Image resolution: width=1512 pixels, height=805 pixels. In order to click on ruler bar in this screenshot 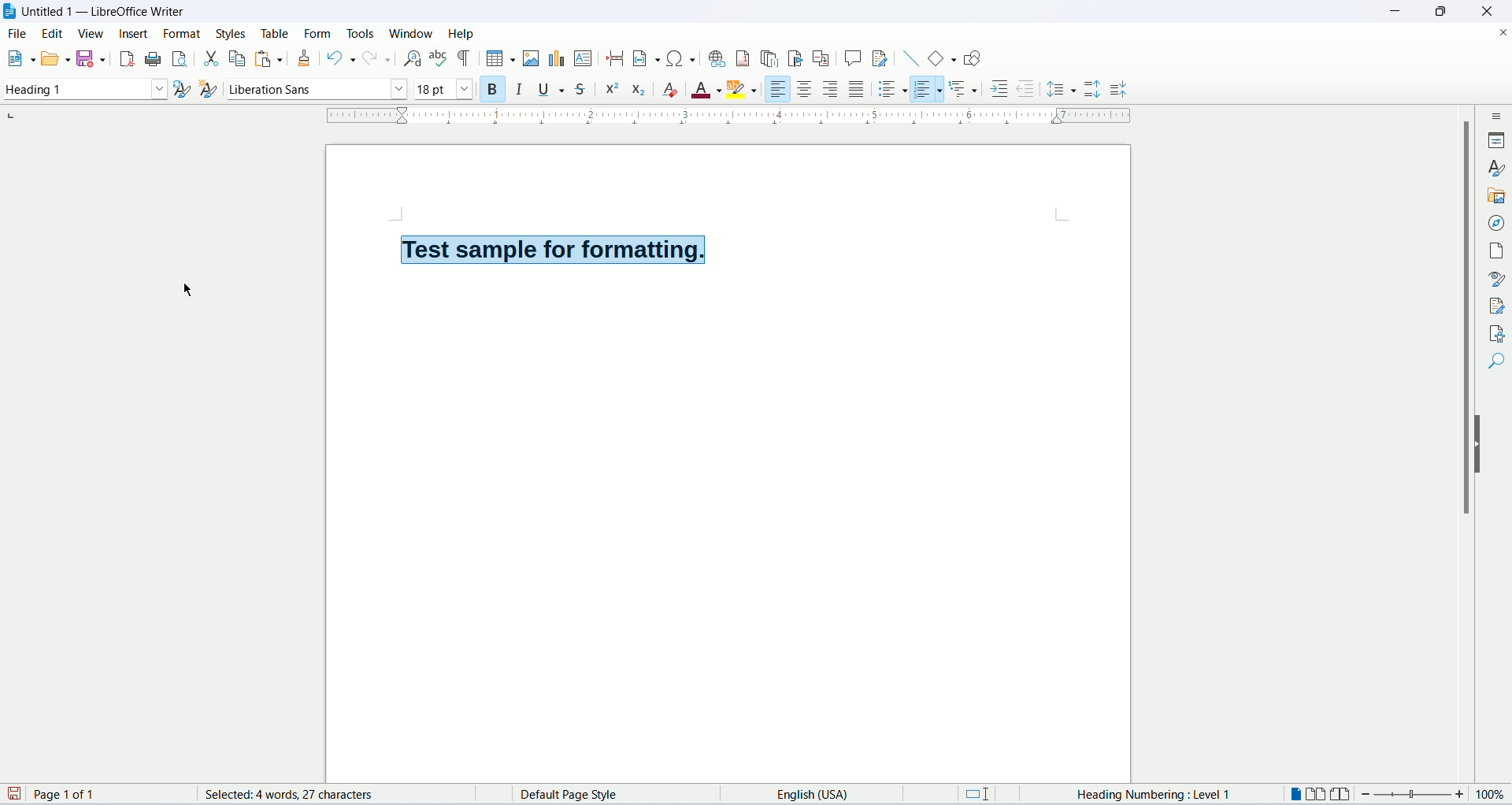, I will do `click(732, 119)`.